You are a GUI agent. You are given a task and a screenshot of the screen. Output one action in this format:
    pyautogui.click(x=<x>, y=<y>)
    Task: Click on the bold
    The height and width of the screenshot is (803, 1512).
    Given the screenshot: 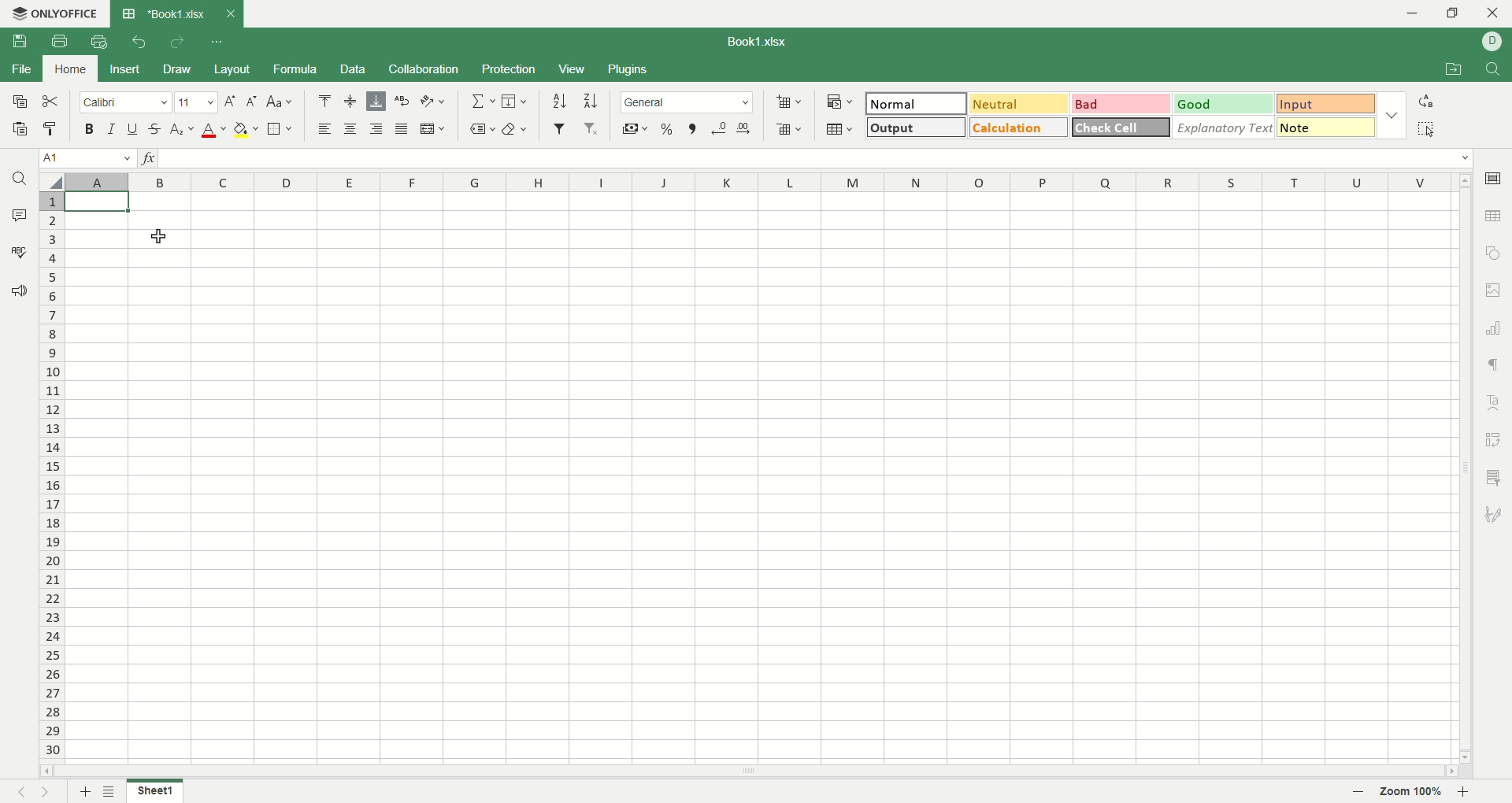 What is the action you would take?
    pyautogui.click(x=92, y=128)
    